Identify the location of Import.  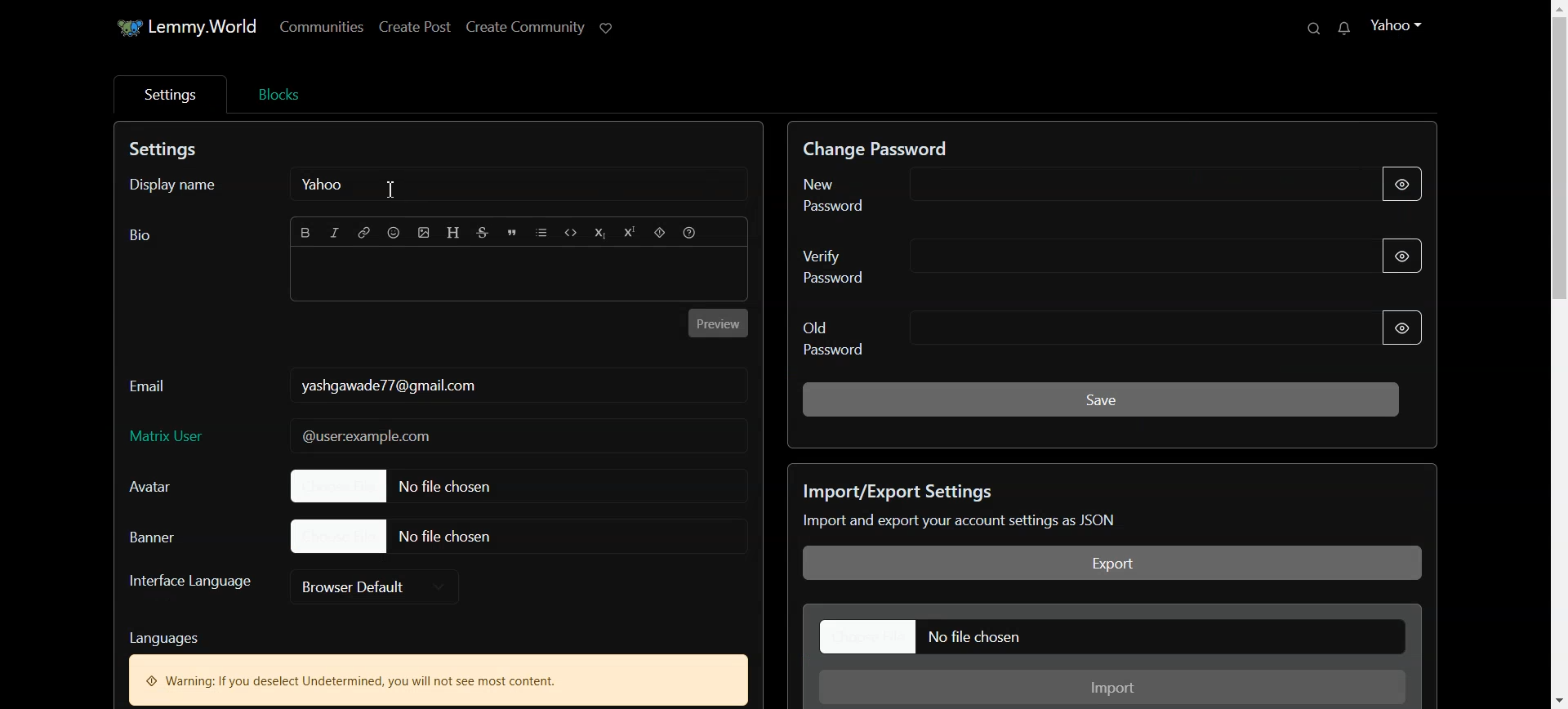
(1115, 688).